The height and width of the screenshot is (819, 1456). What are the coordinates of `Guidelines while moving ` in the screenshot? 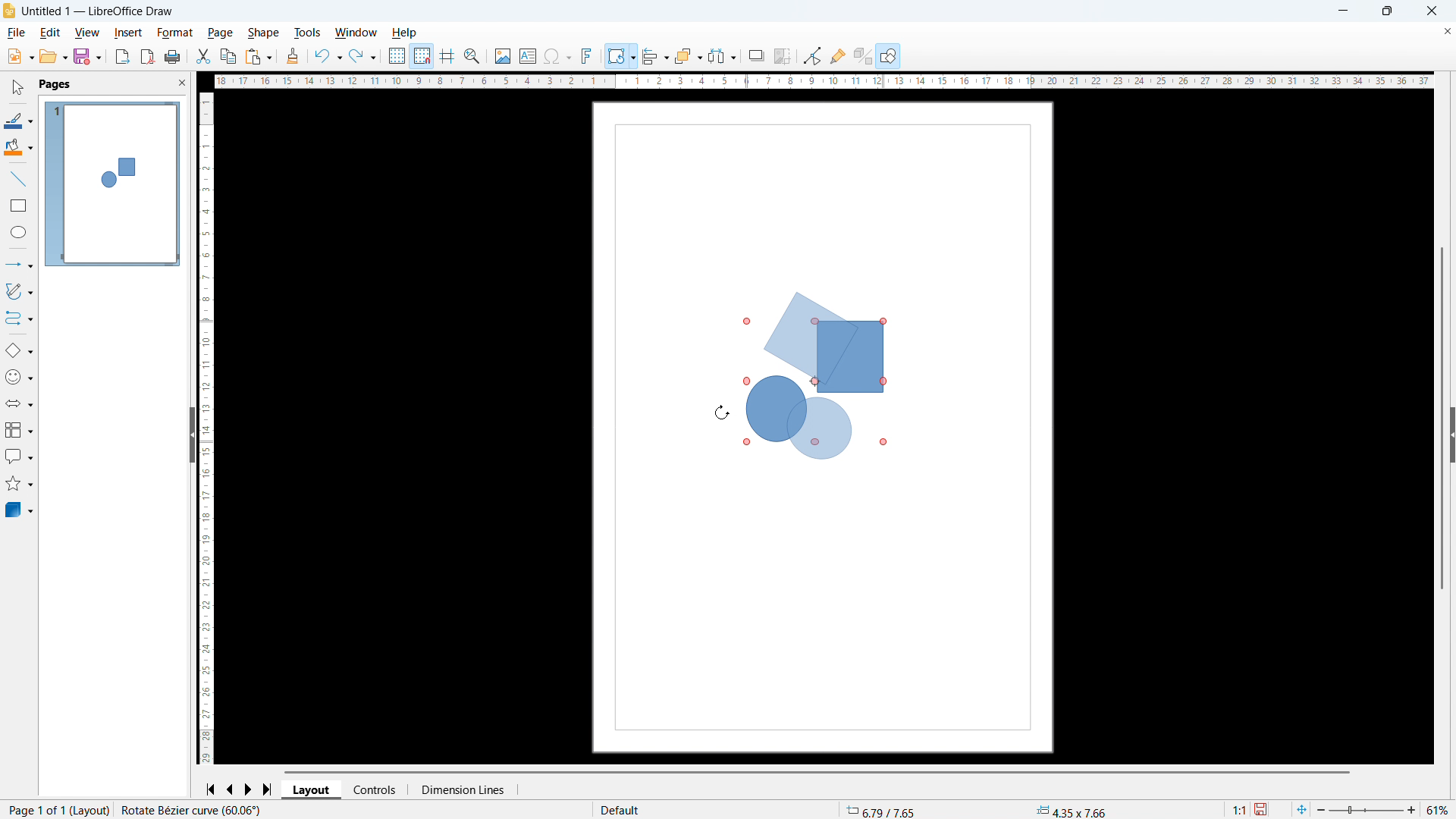 It's located at (448, 56).